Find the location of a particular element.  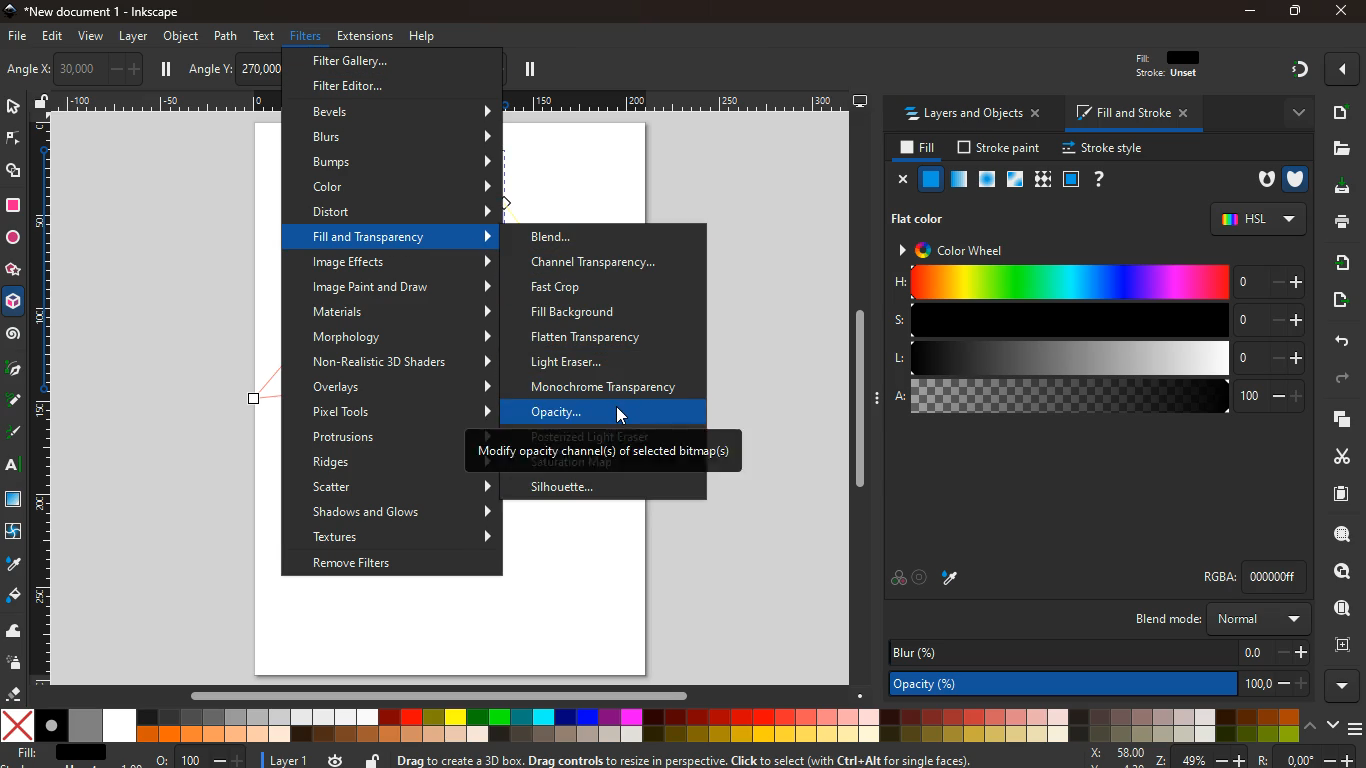

Scale is located at coordinates (43, 400).